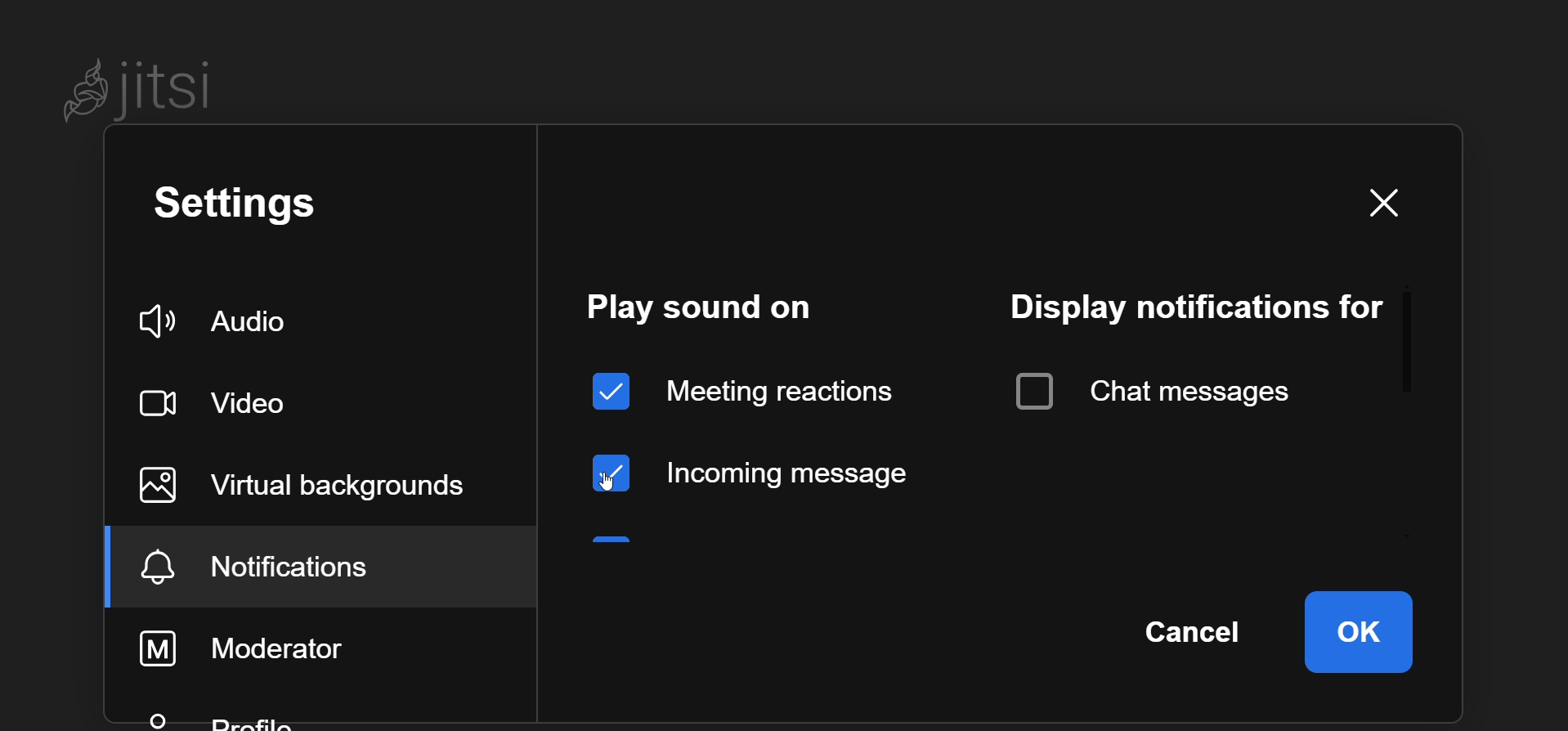 This screenshot has width=1568, height=731. I want to click on cursor, so click(612, 482).